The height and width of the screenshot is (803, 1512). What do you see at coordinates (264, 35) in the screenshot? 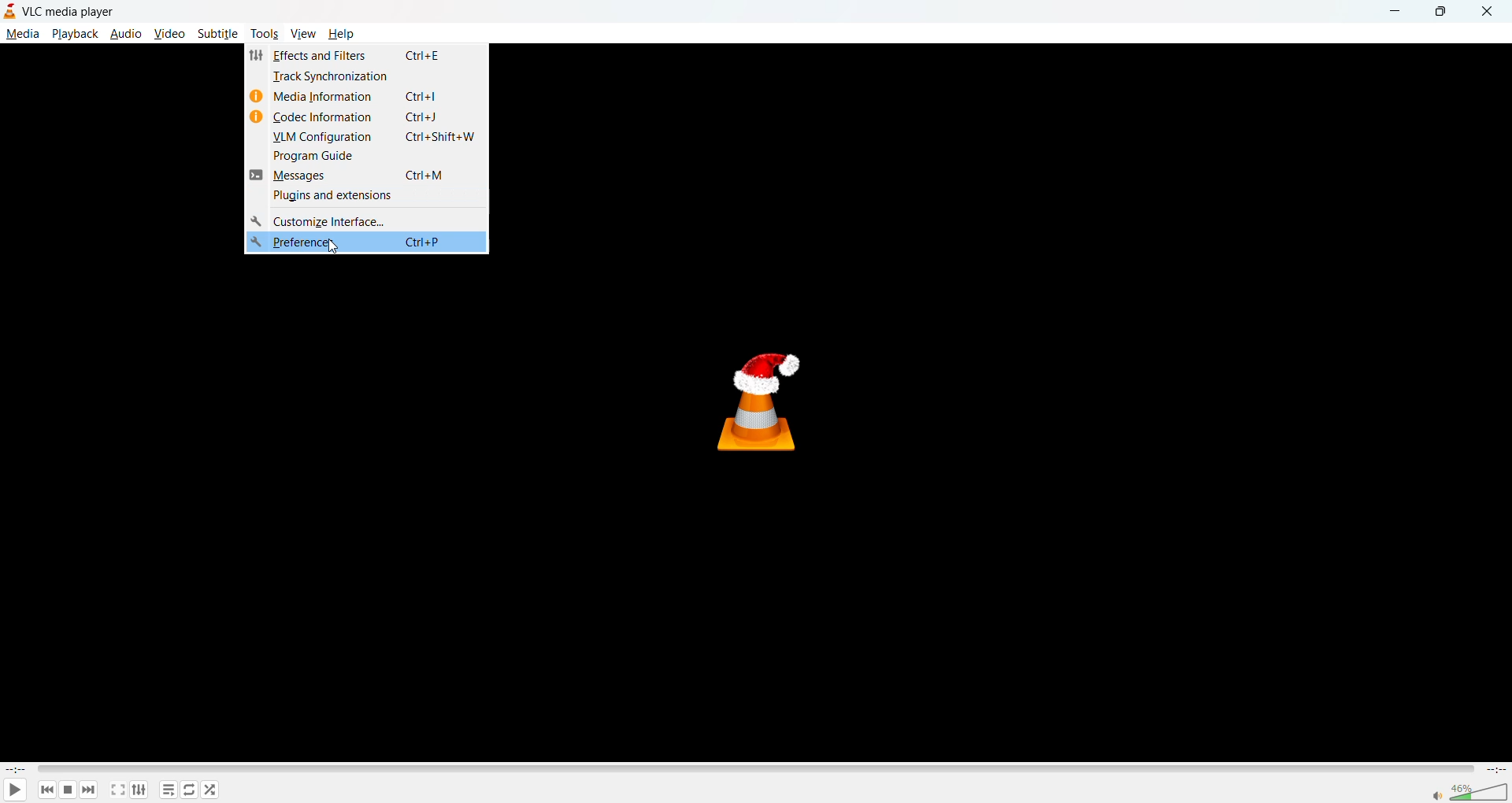
I see `tools` at bounding box center [264, 35].